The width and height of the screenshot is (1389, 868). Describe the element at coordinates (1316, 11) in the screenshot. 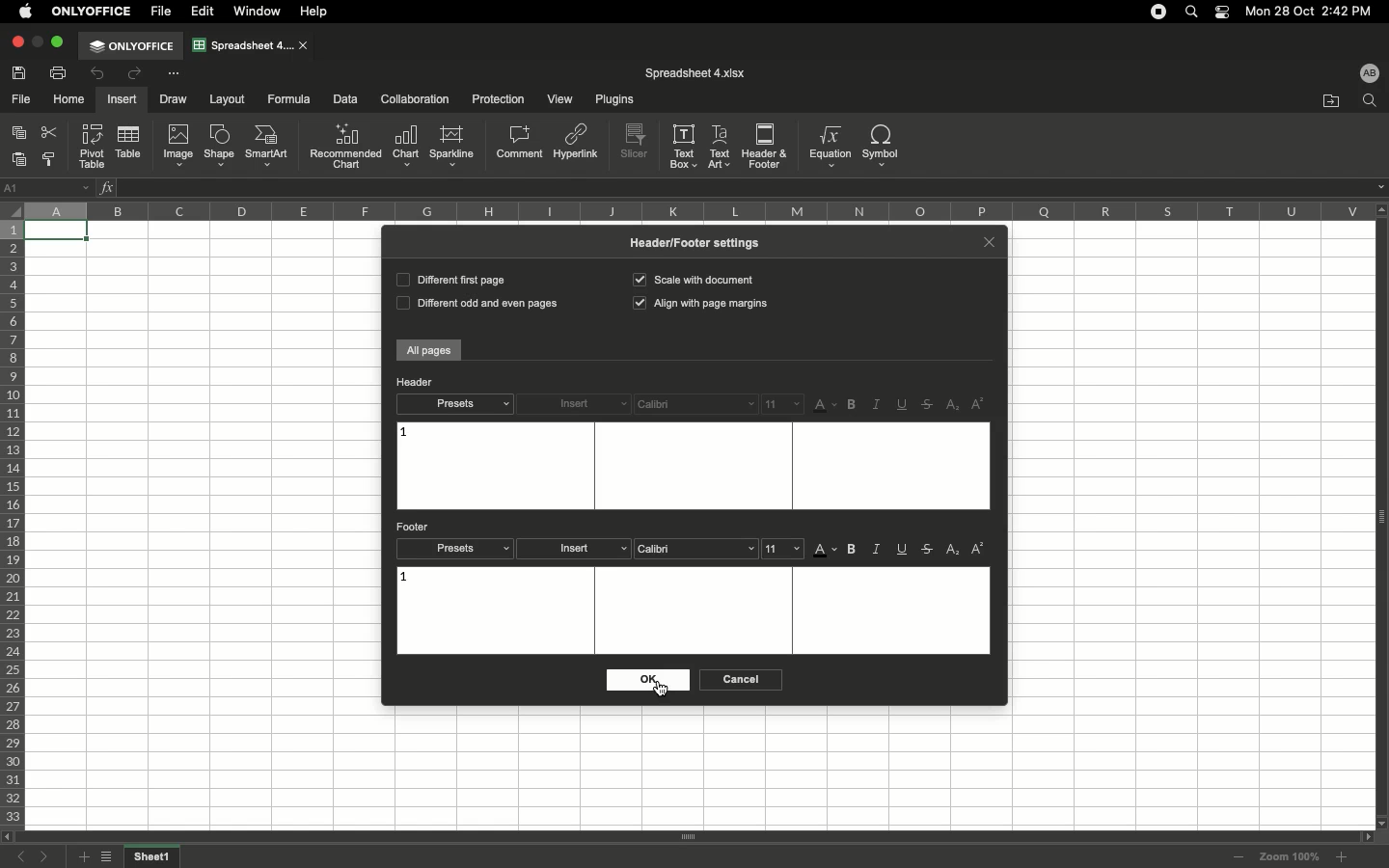

I see `Date/time` at that location.